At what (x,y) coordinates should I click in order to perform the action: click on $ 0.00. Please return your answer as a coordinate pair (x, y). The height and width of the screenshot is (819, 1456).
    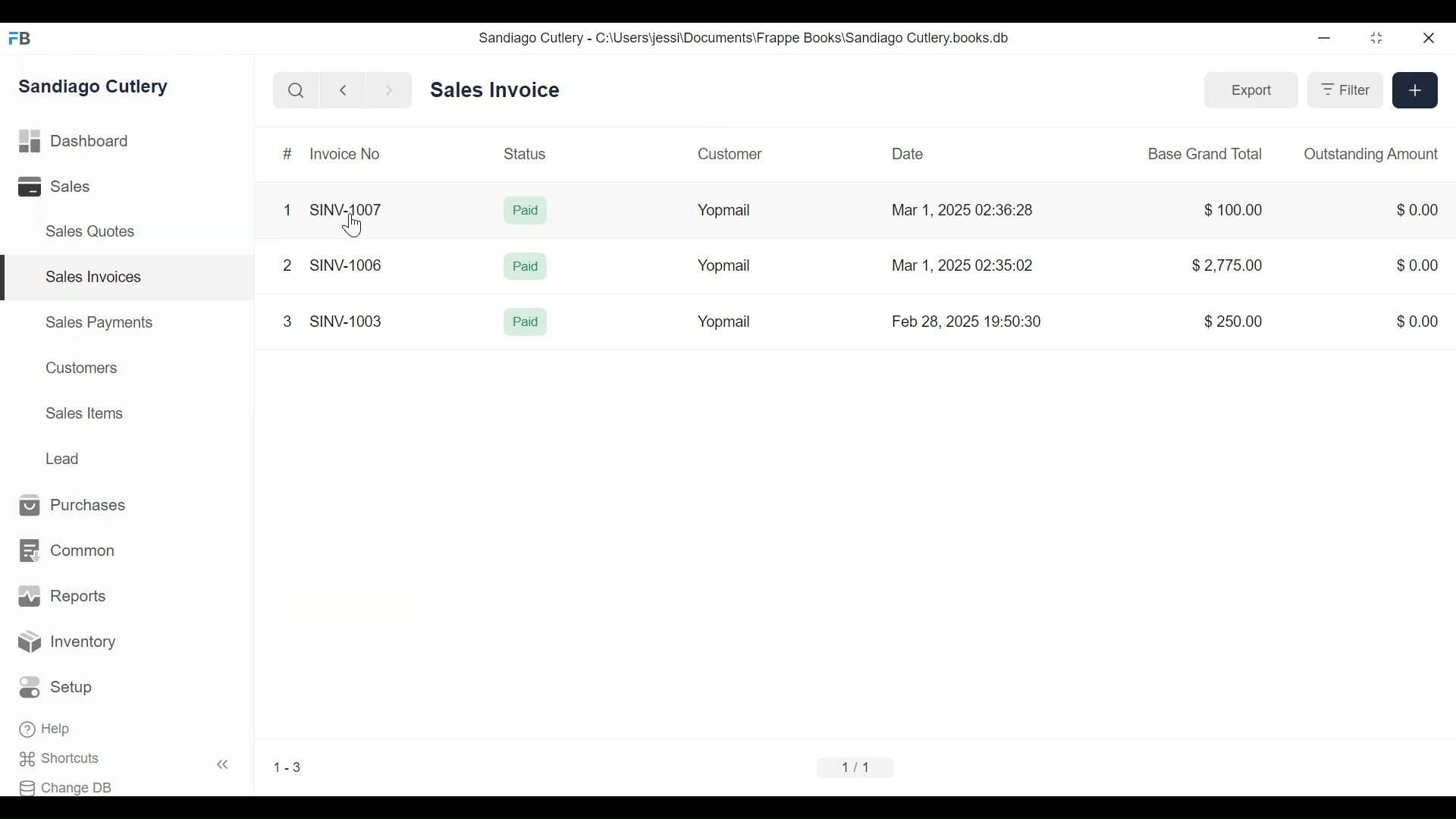
    Looking at the image, I should click on (1417, 209).